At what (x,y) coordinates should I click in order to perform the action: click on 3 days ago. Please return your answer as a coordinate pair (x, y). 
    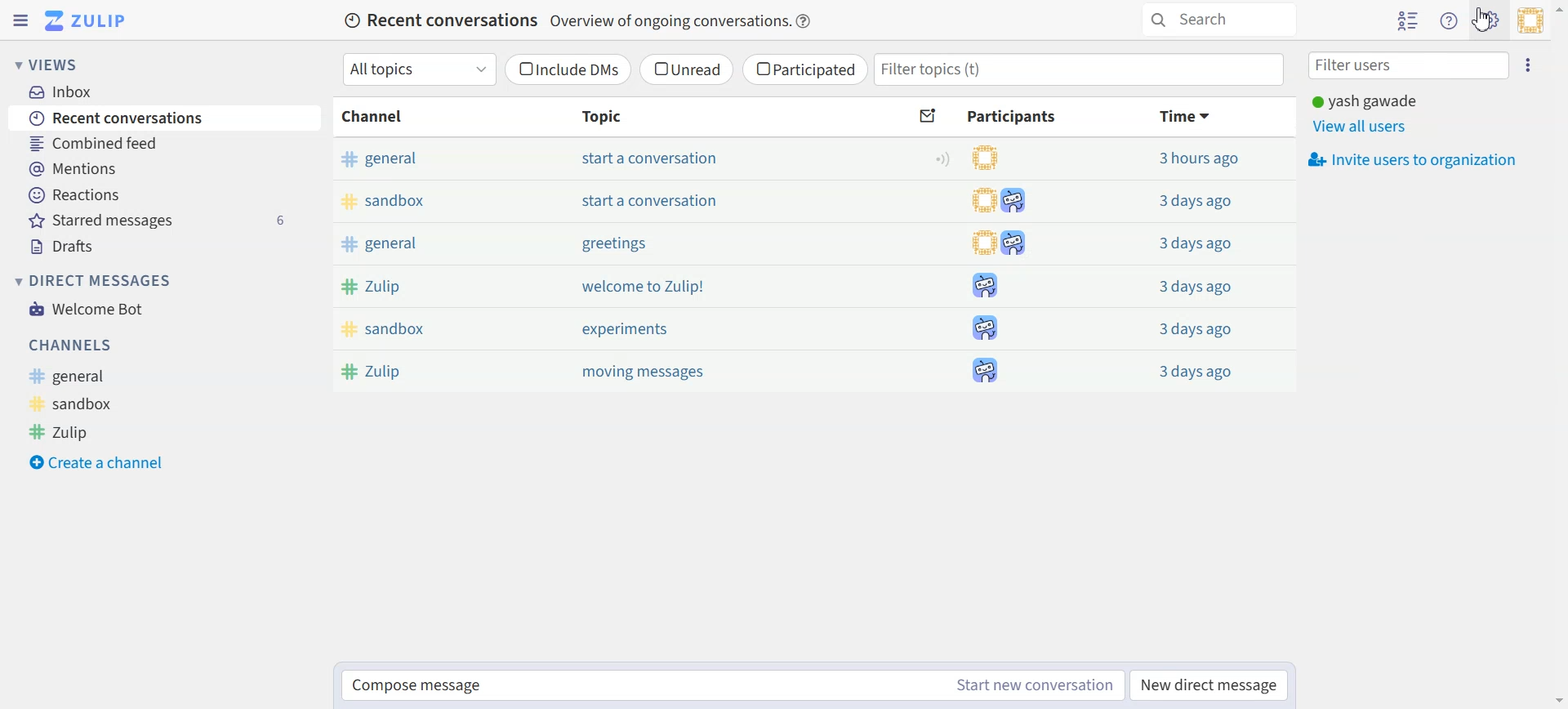
    Looking at the image, I should click on (1192, 244).